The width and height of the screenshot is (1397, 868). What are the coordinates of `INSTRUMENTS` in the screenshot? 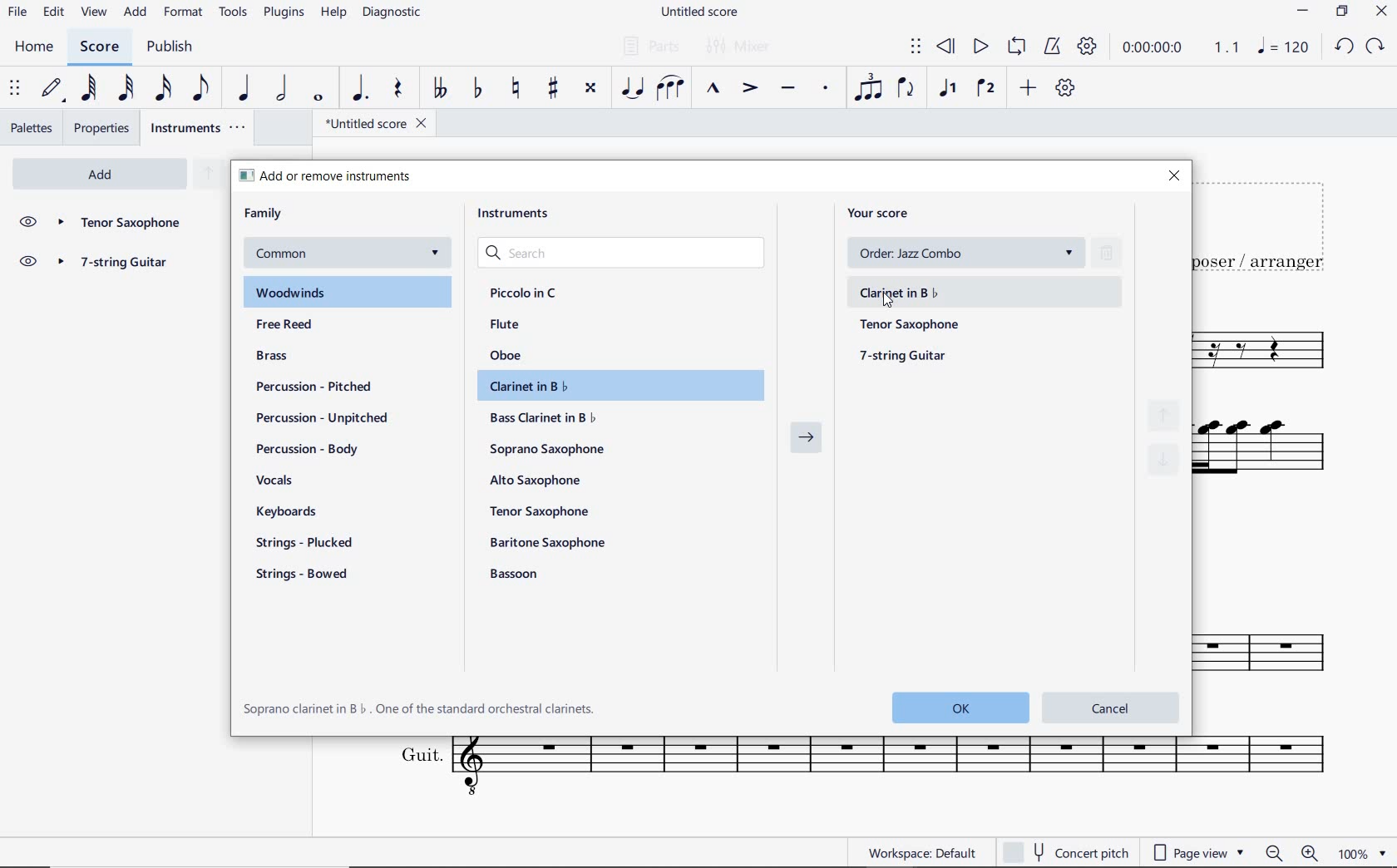 It's located at (200, 127).